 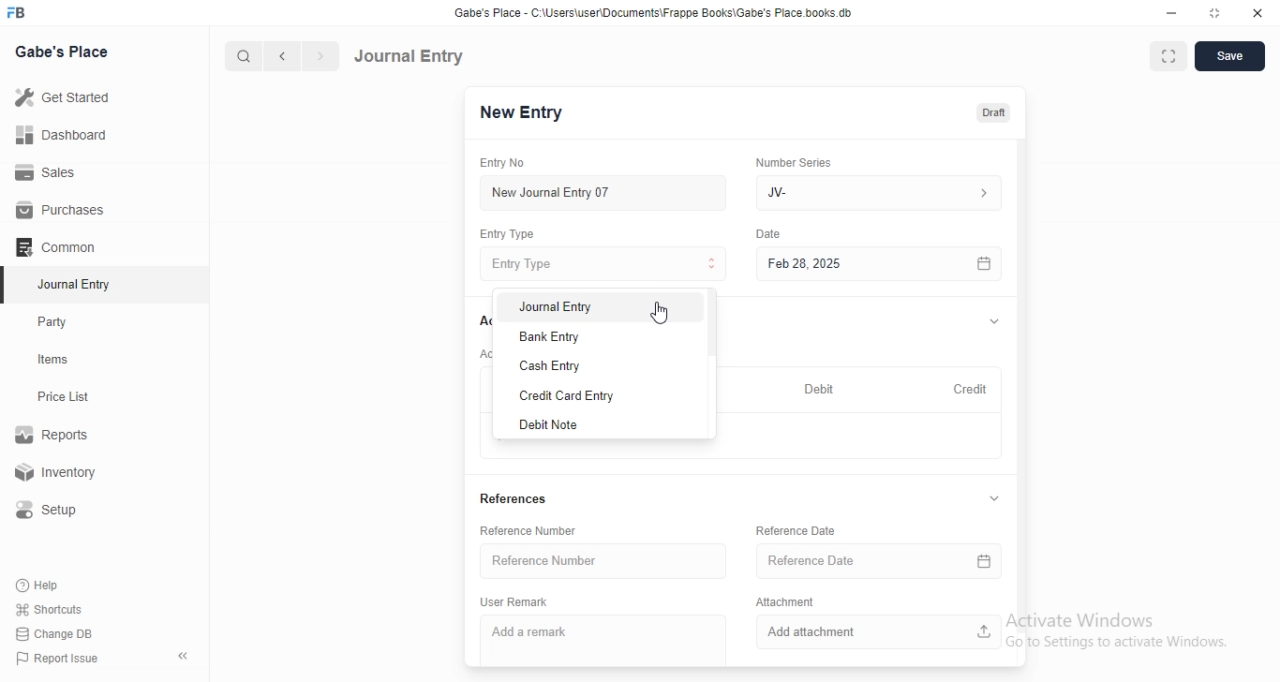 I want to click on New Journal Entry 07, so click(x=550, y=193).